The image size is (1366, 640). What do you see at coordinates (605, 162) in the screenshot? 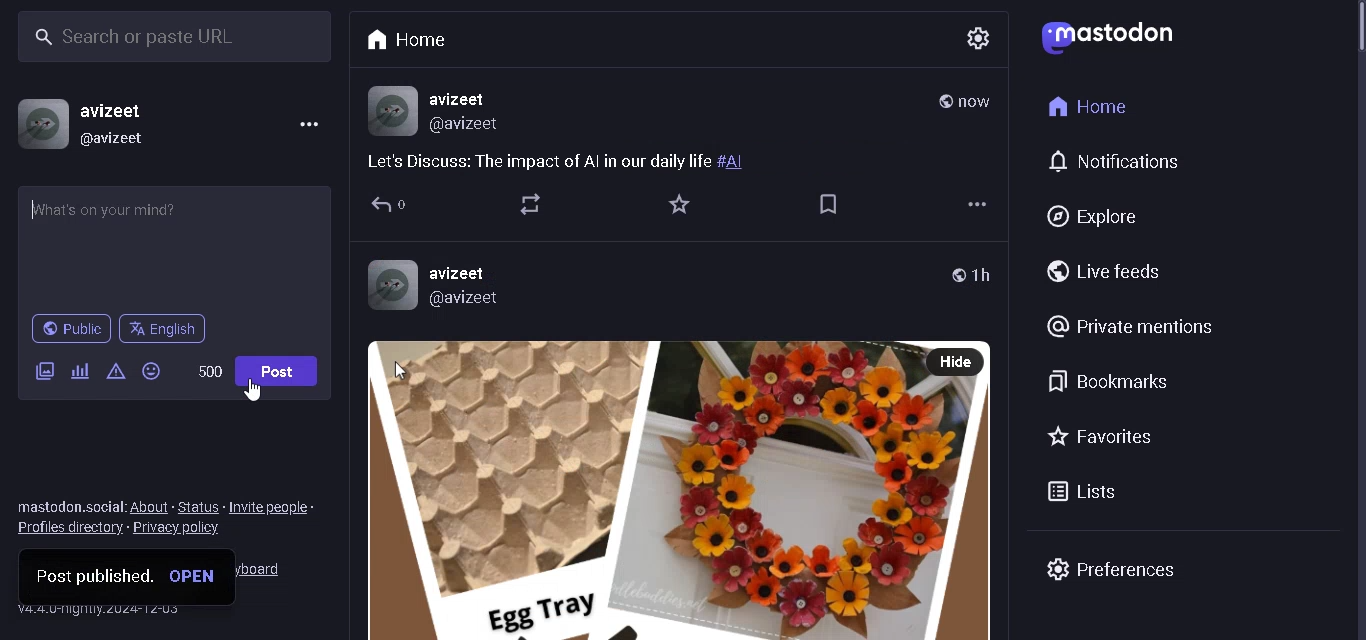
I see `DISCUSSION POST ADDED` at bounding box center [605, 162].